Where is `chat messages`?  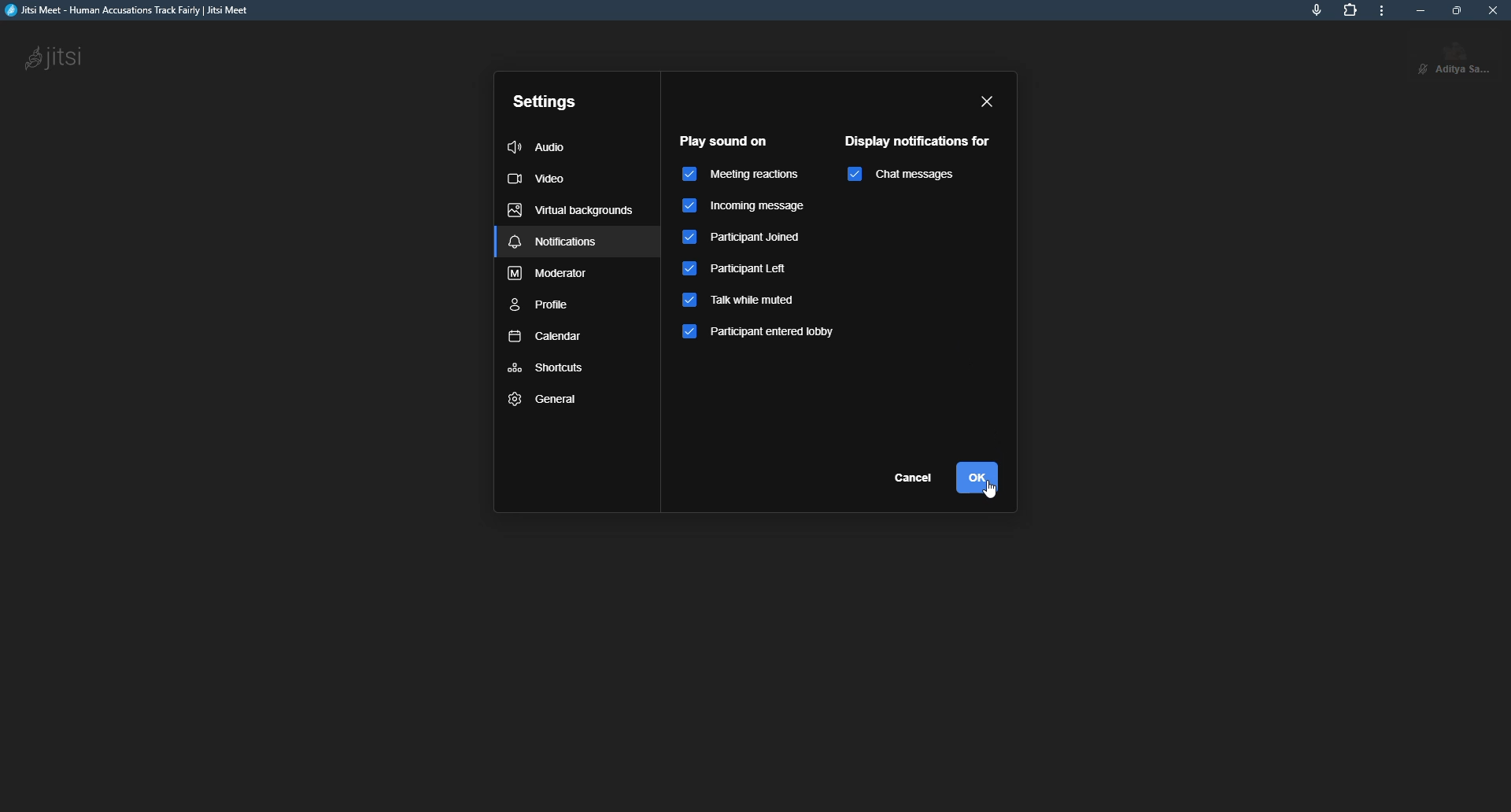
chat messages is located at coordinates (932, 176).